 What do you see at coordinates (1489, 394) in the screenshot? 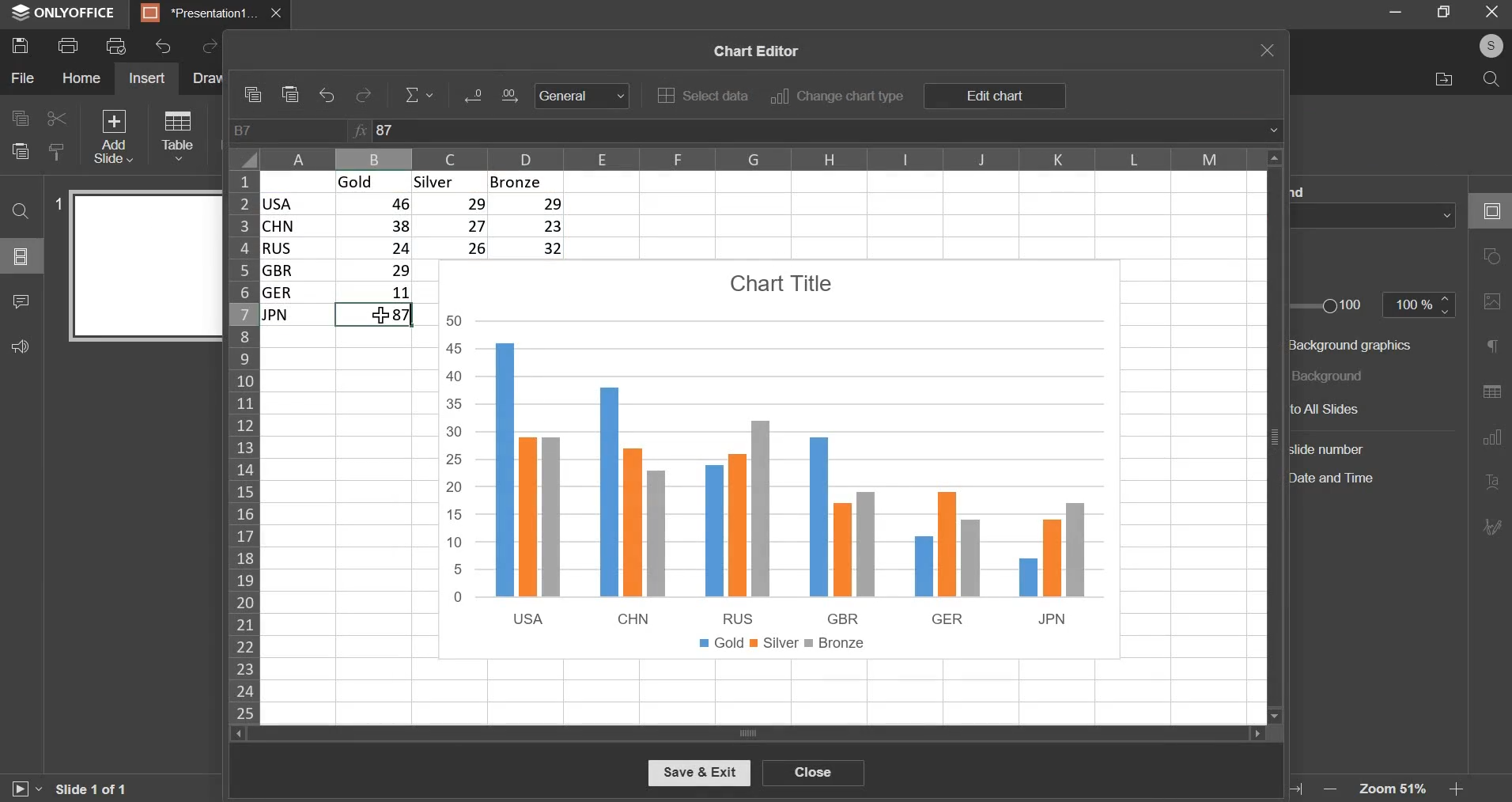
I see `table settings` at bounding box center [1489, 394].